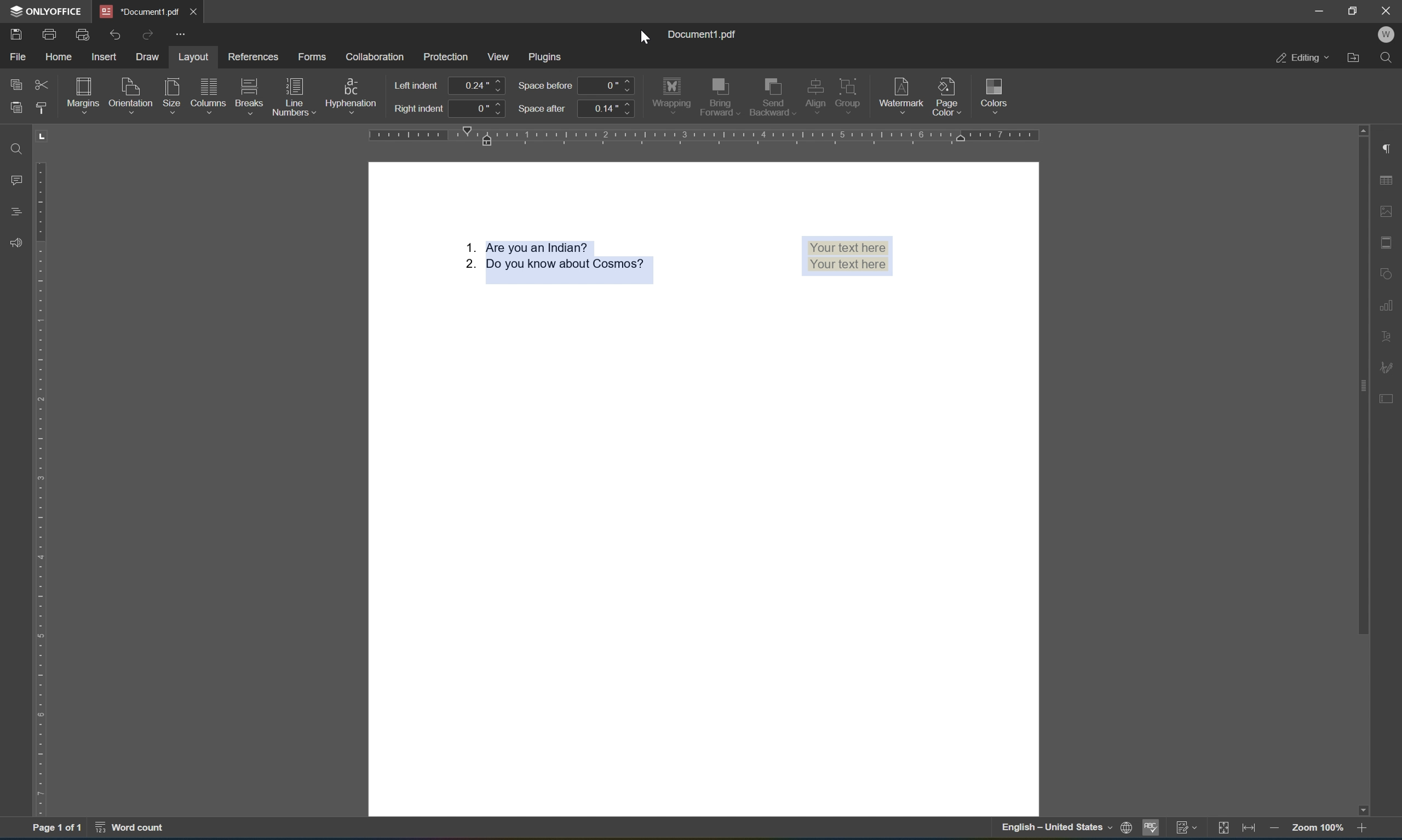 The width and height of the screenshot is (1402, 840). What do you see at coordinates (14, 211) in the screenshot?
I see `headings` at bounding box center [14, 211].